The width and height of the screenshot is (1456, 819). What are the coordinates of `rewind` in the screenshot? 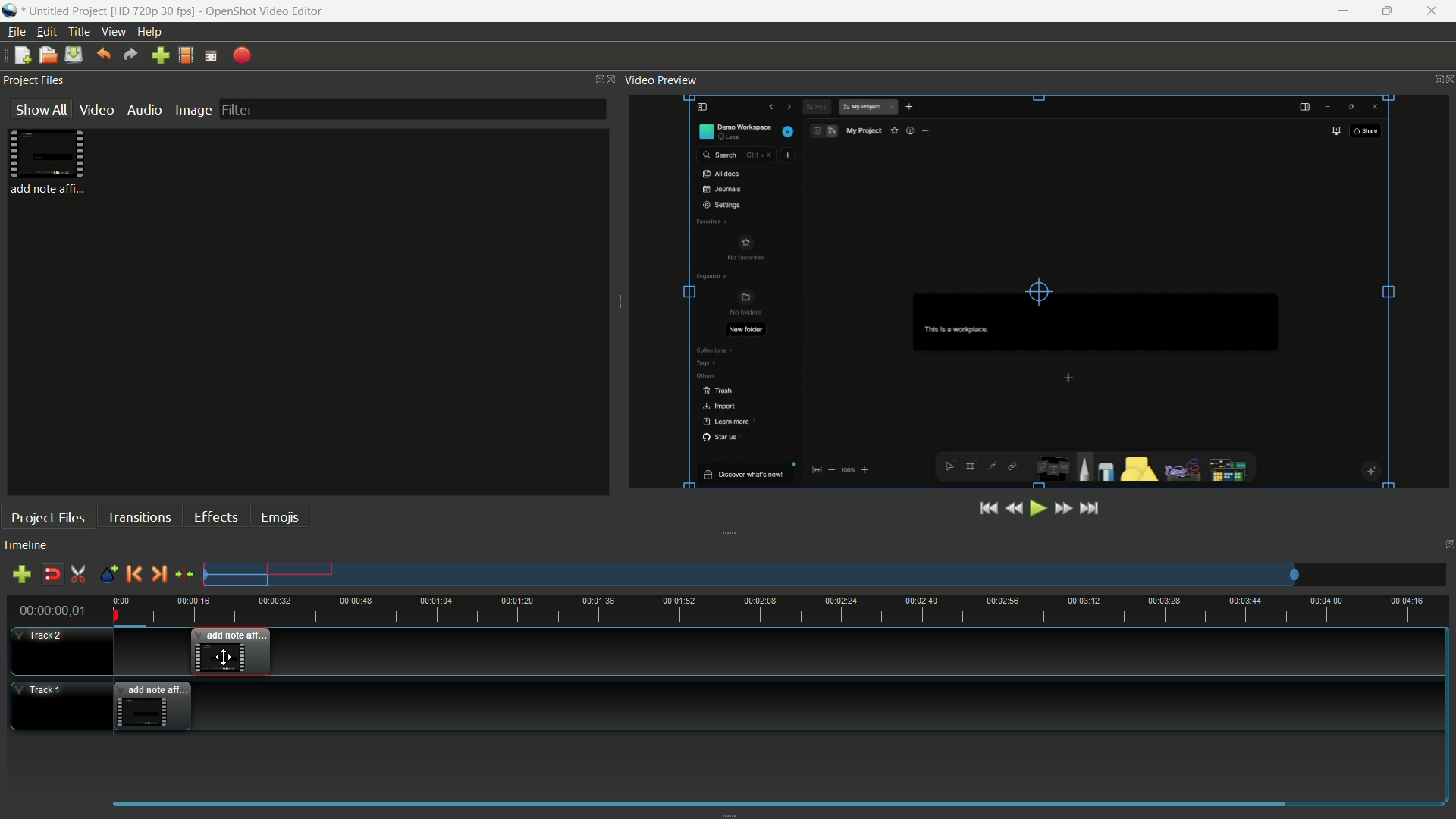 It's located at (1012, 509).